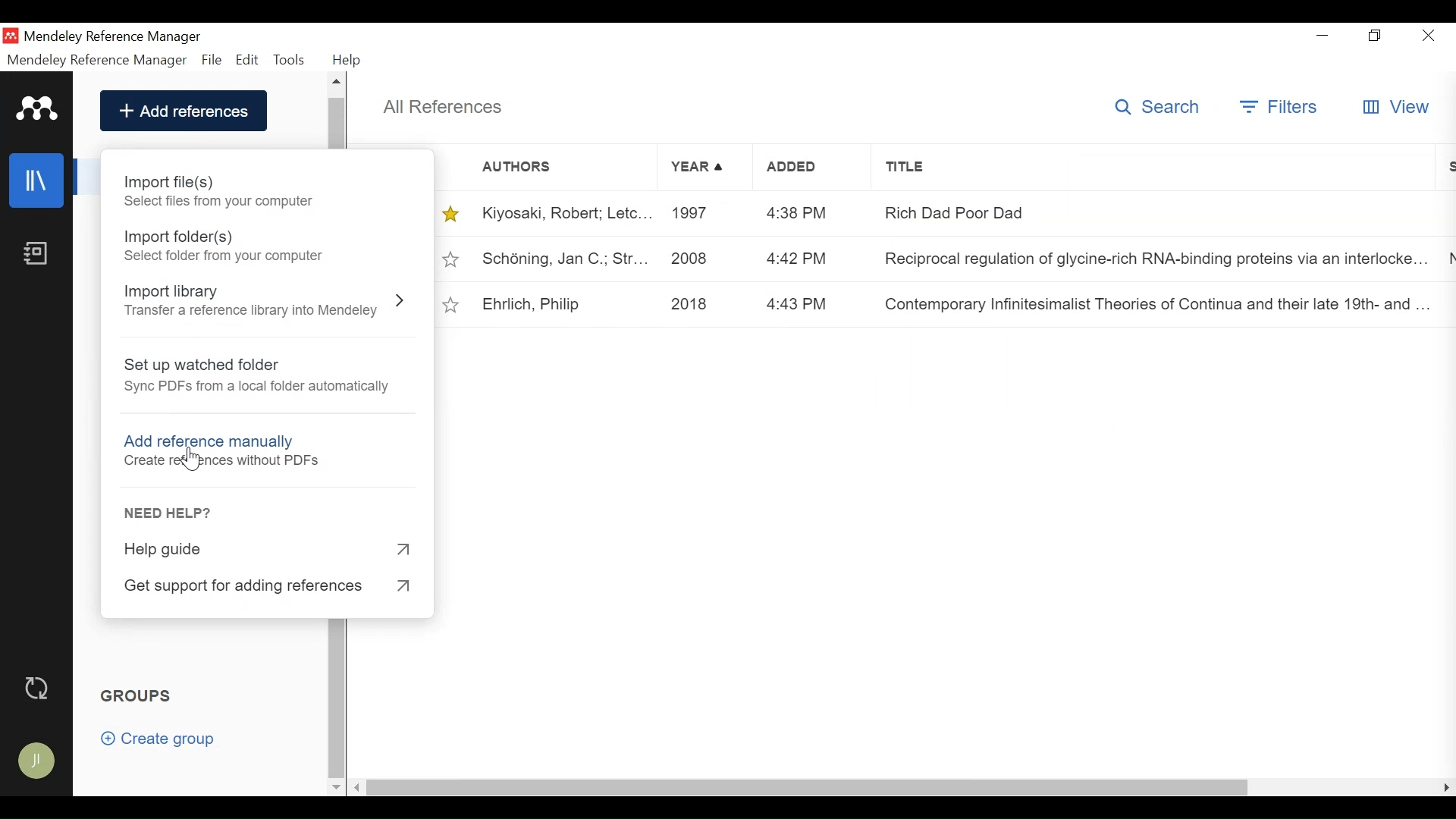  What do you see at coordinates (811, 211) in the screenshot?
I see `4:38 PM` at bounding box center [811, 211].